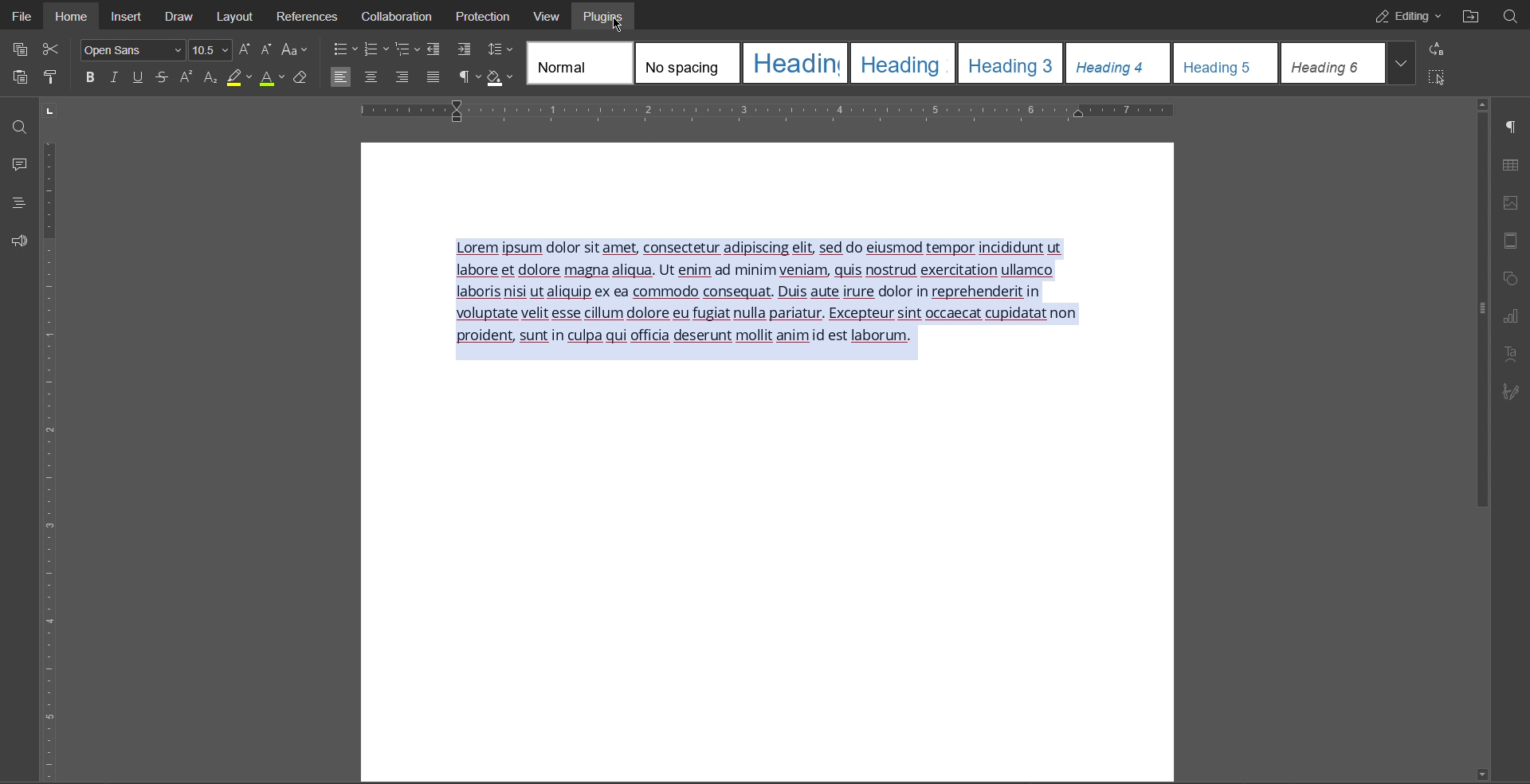 The width and height of the screenshot is (1530, 784). Describe the element at coordinates (421, 49) in the screenshot. I see `Nested List` at that location.